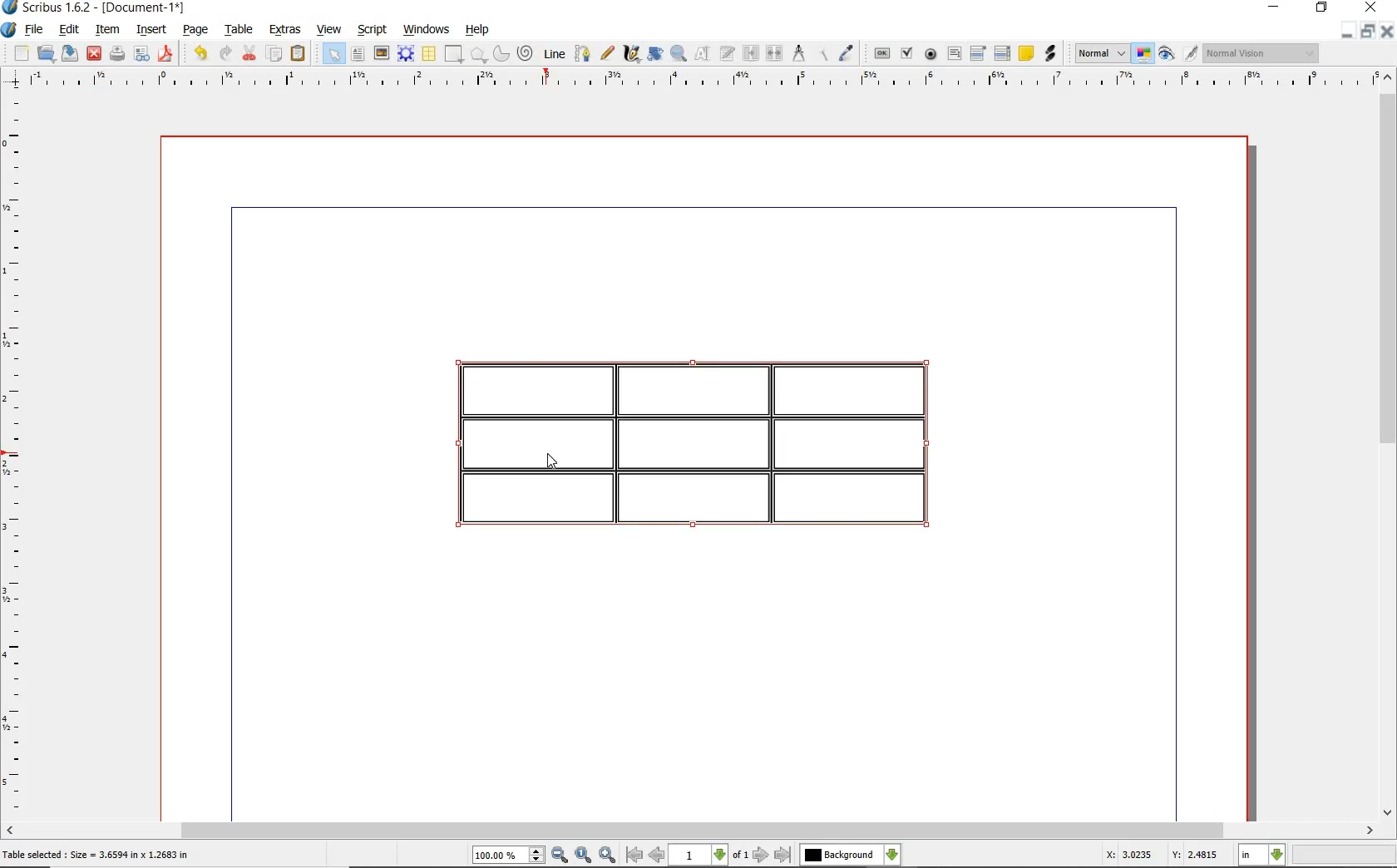 The height and width of the screenshot is (868, 1397). I want to click on view, so click(329, 29).